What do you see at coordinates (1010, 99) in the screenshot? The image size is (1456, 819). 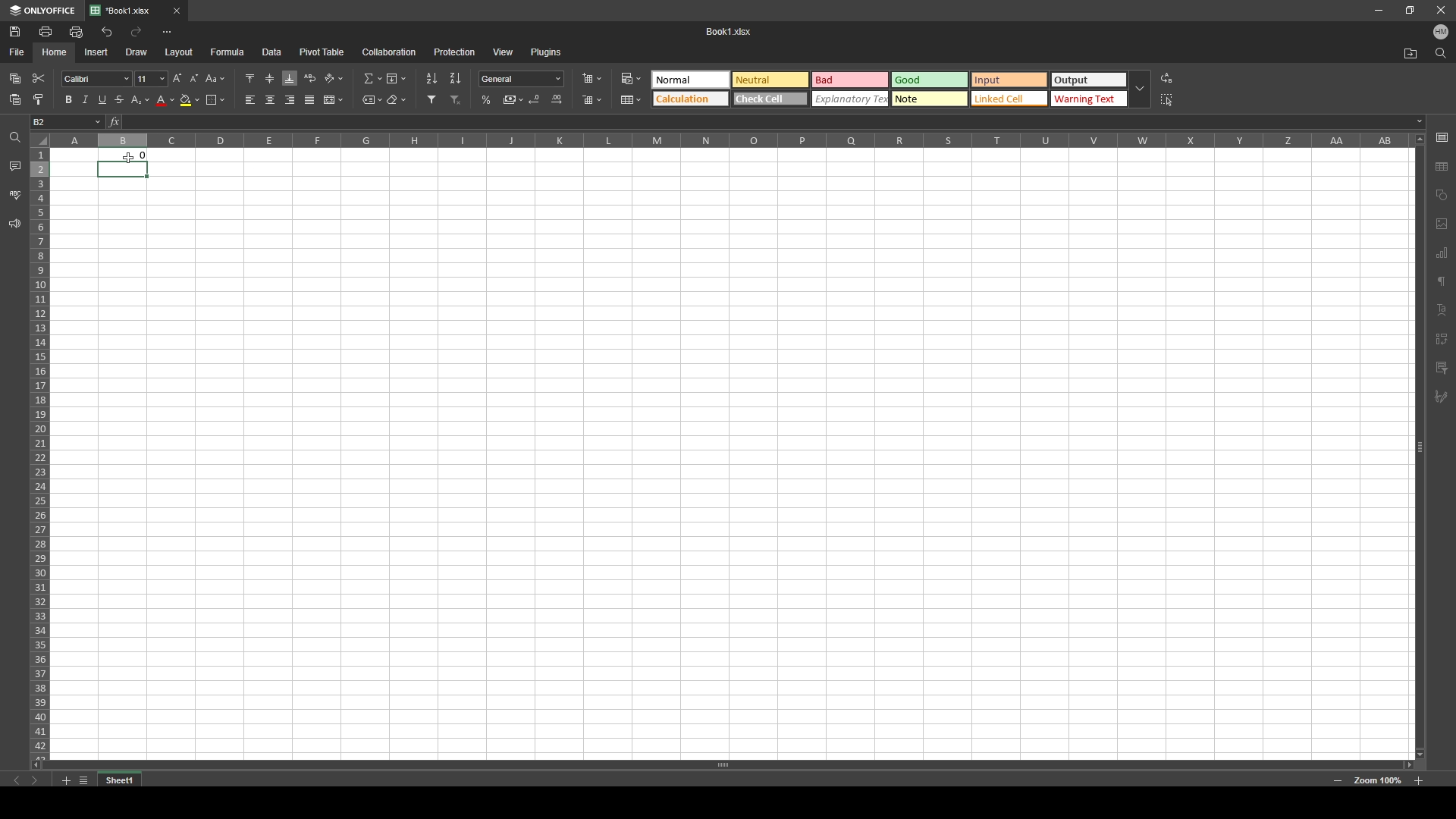 I see `Linked cell` at bounding box center [1010, 99].